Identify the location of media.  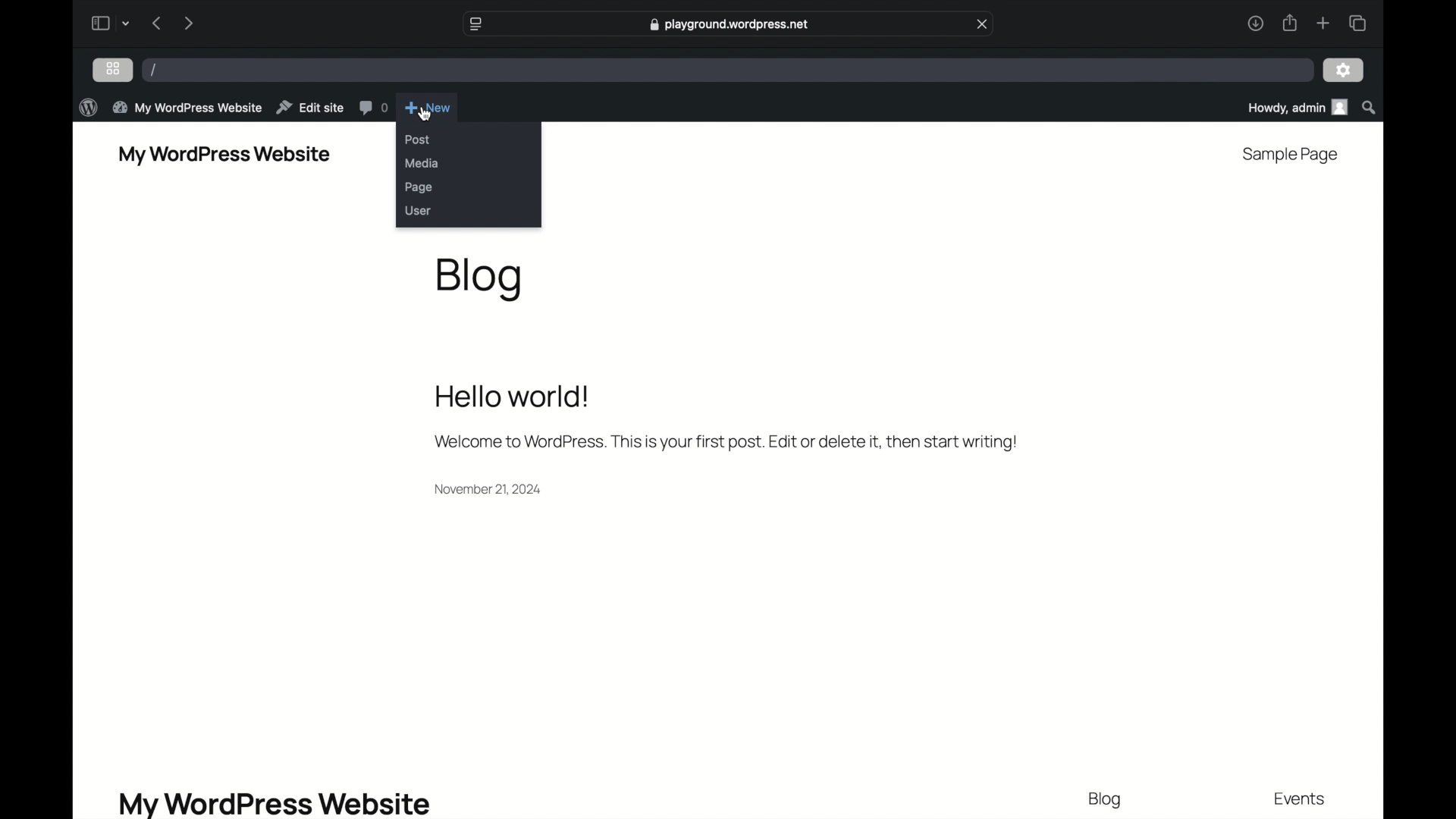
(422, 164).